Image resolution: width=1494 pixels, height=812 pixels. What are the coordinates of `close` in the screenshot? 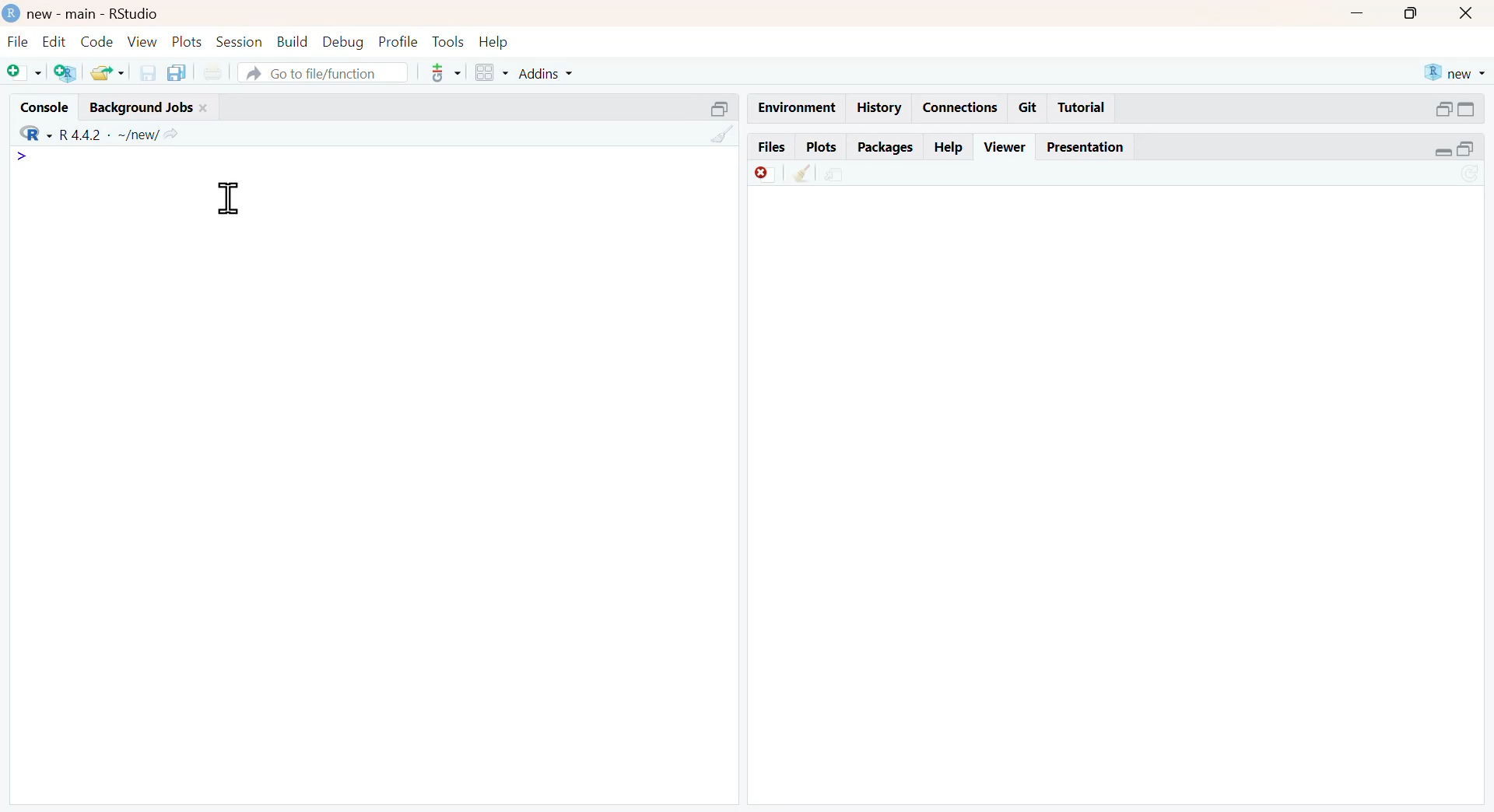 It's located at (205, 108).